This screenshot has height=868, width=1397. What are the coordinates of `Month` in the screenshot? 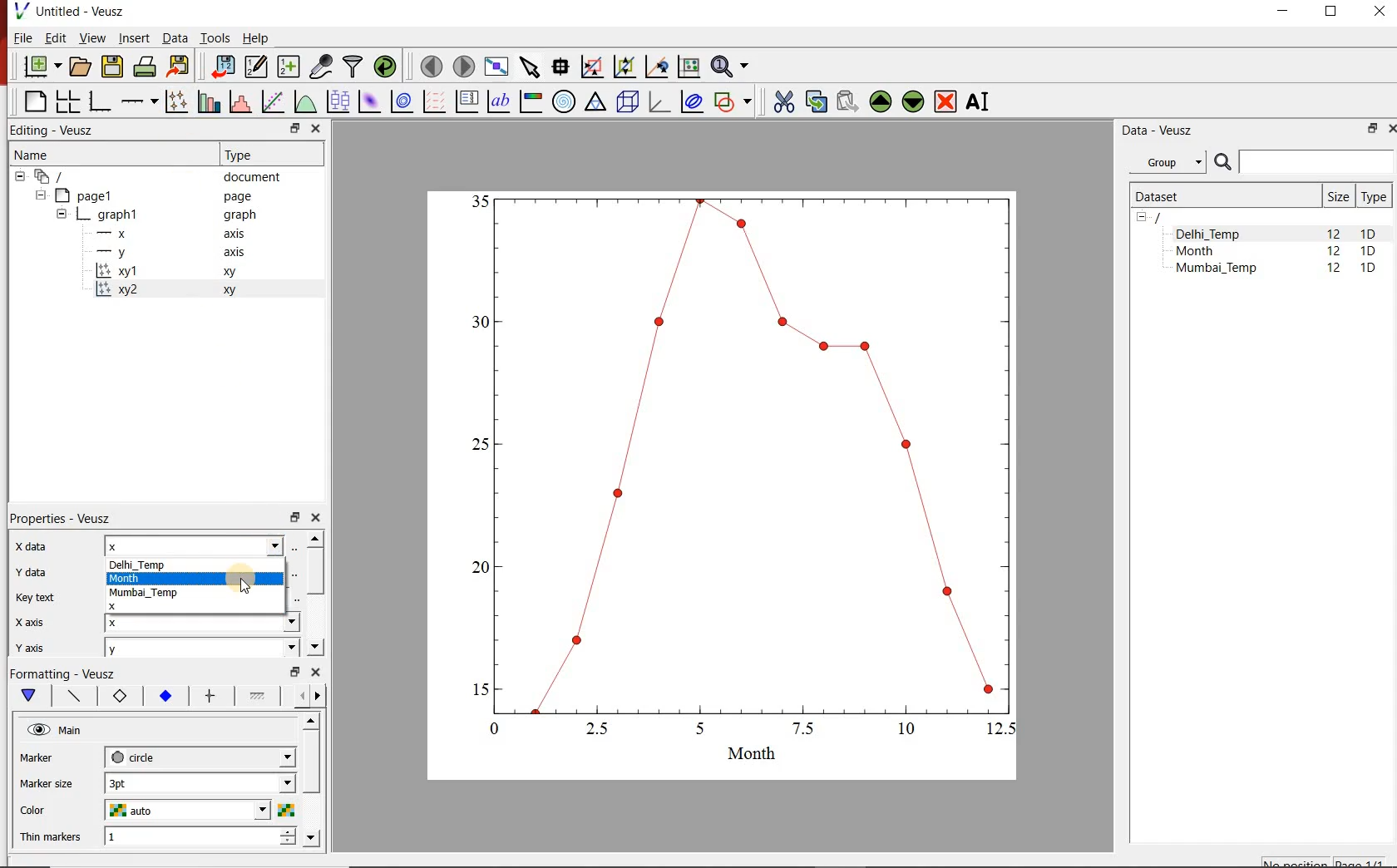 It's located at (1207, 251).